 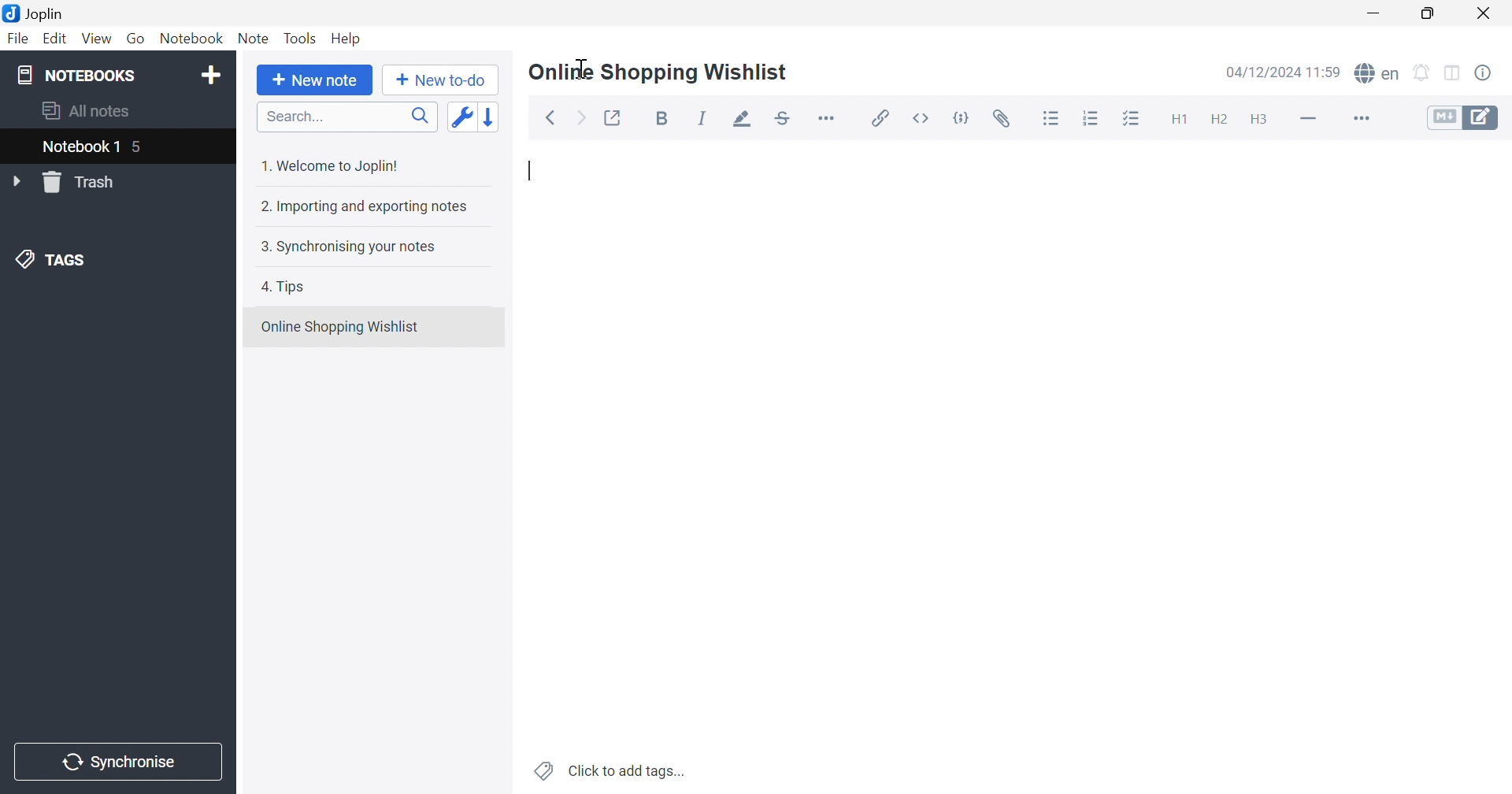 What do you see at coordinates (616, 117) in the screenshot?
I see `Toggle external editing` at bounding box center [616, 117].